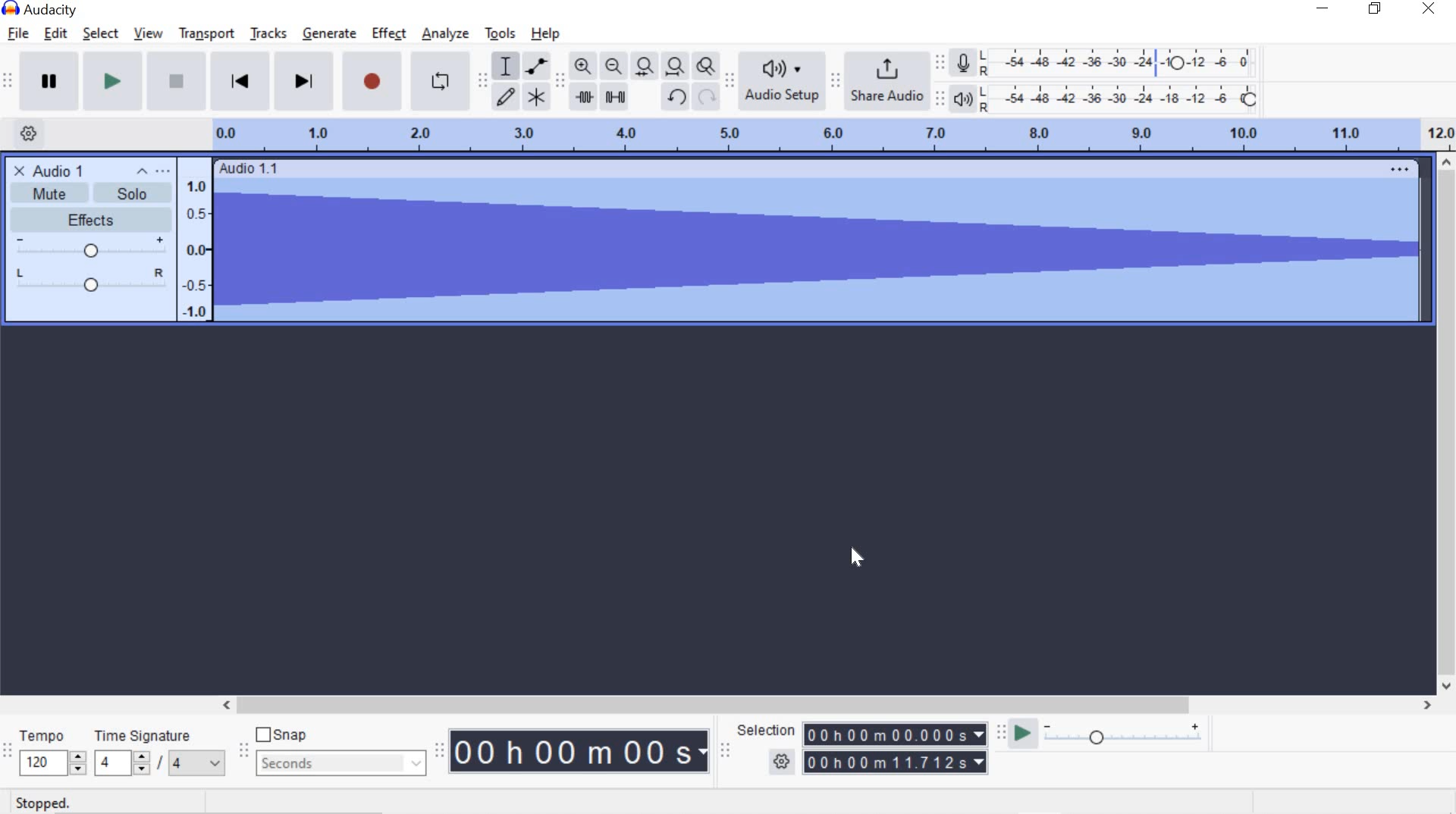 This screenshot has height=814, width=1456. Describe the element at coordinates (704, 68) in the screenshot. I see `Zoom Toggle` at that location.